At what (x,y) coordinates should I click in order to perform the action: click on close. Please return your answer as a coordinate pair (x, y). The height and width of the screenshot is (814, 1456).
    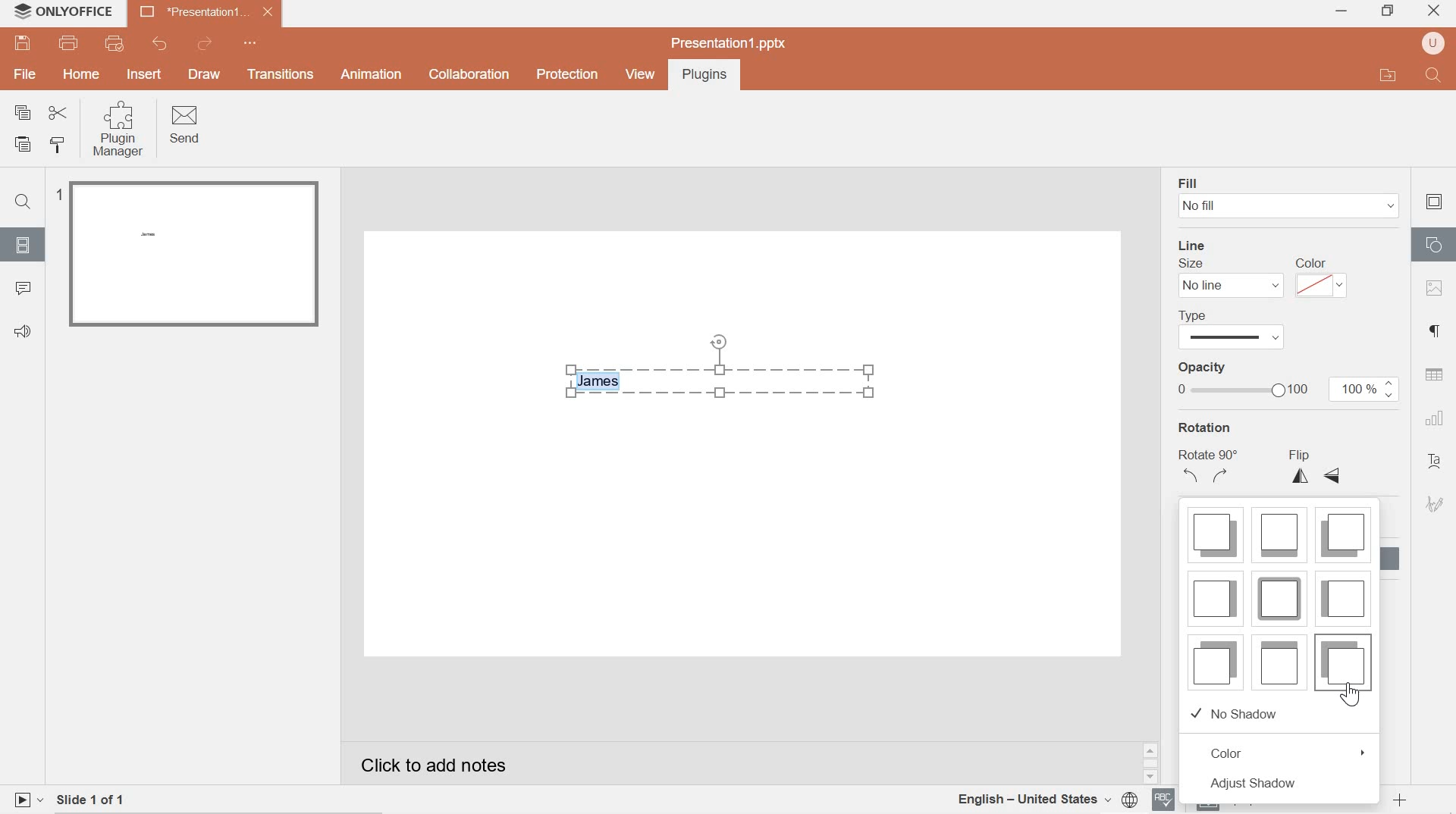
    Looking at the image, I should click on (1436, 8).